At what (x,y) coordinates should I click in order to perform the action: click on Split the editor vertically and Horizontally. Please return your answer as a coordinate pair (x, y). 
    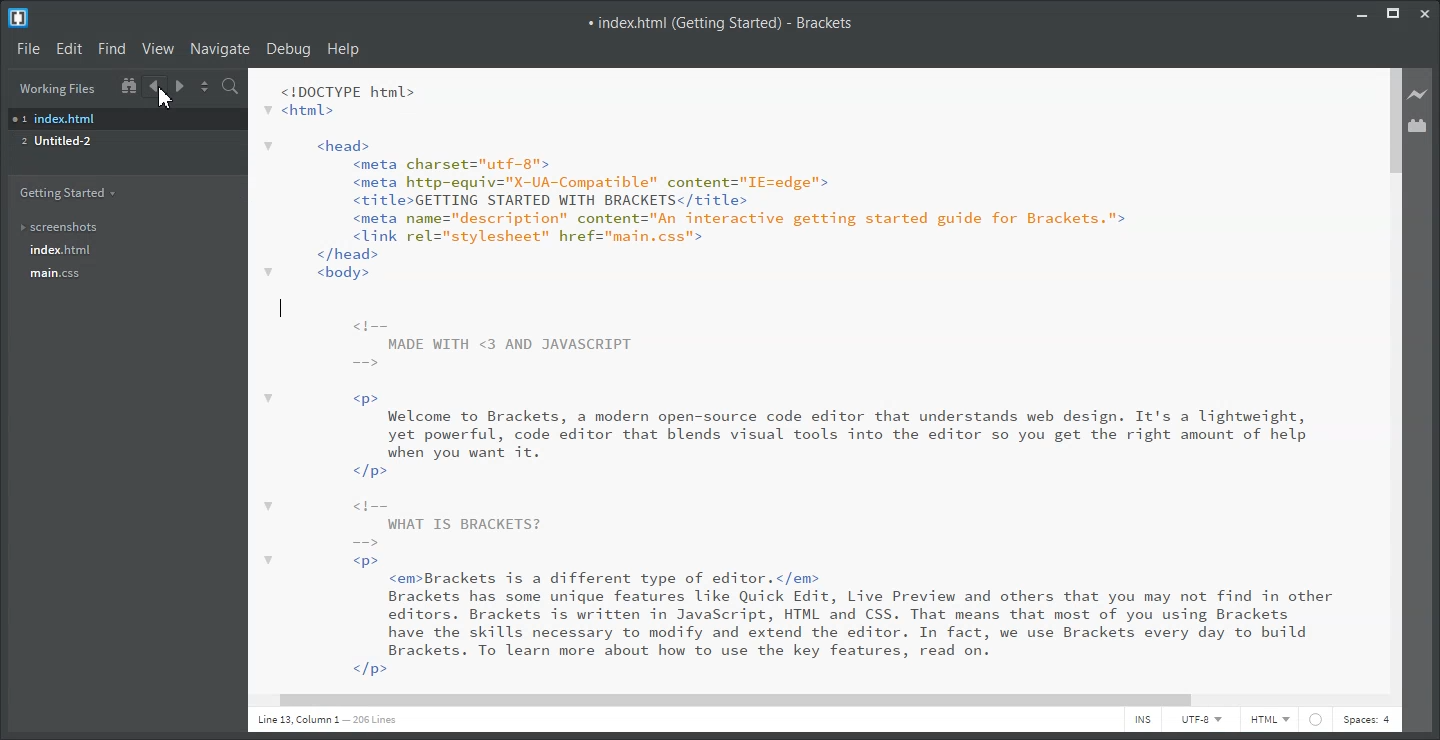
    Looking at the image, I should click on (205, 87).